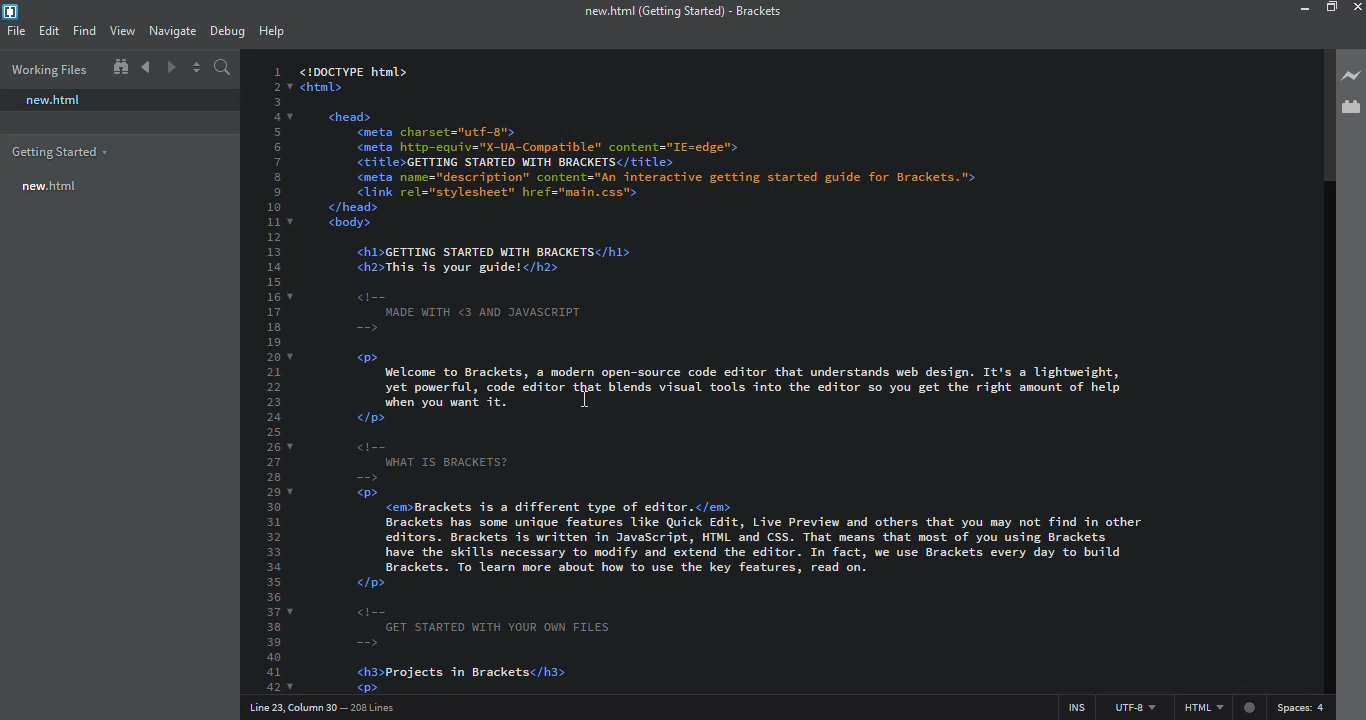 This screenshot has width=1366, height=720. Describe the element at coordinates (680, 10) in the screenshot. I see `brackets` at that location.